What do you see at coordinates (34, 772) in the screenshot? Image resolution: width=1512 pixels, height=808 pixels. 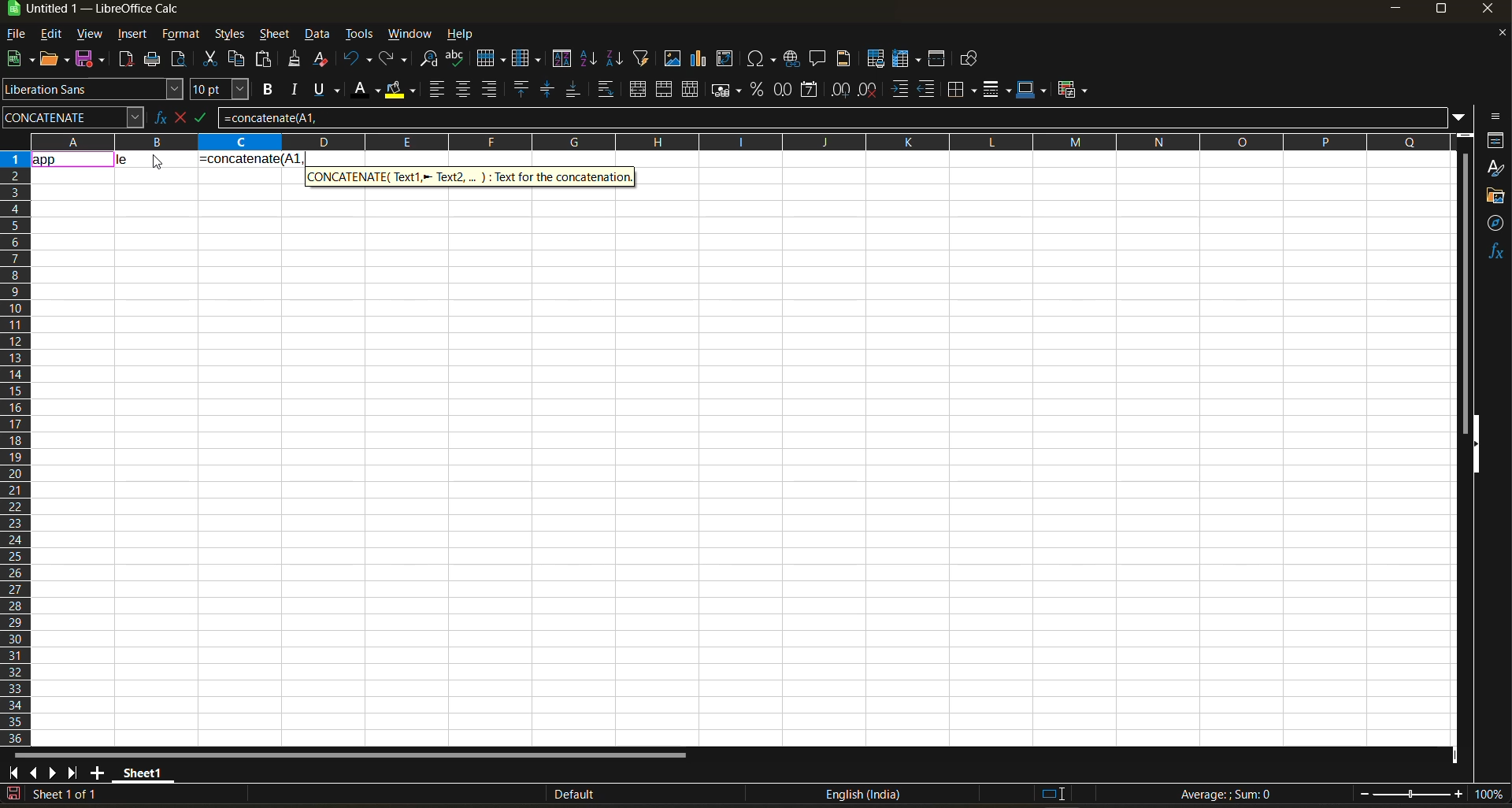 I see `scroll to previous sheet` at bounding box center [34, 772].